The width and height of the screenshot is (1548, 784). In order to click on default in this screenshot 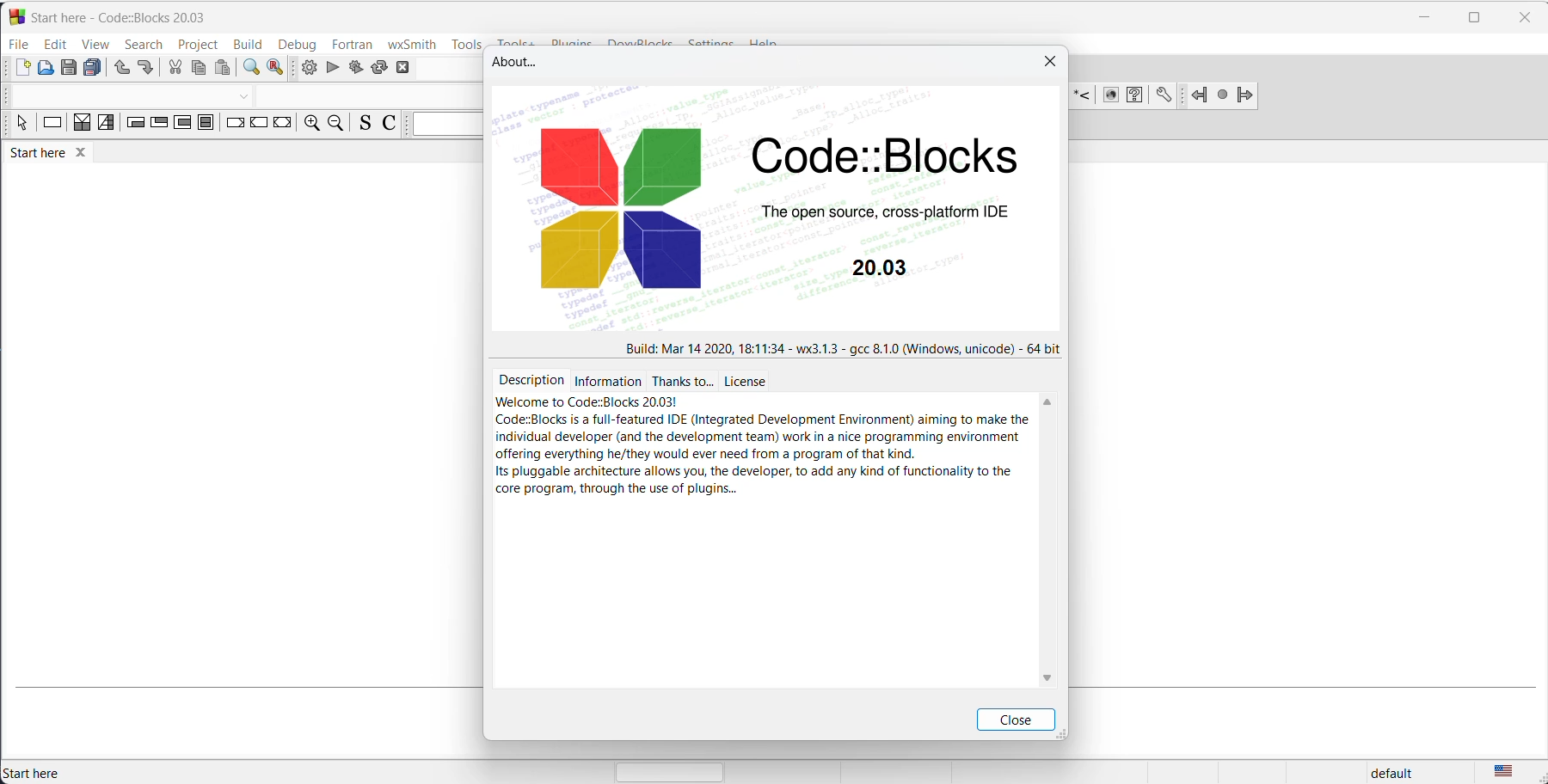, I will do `click(1404, 771)`.